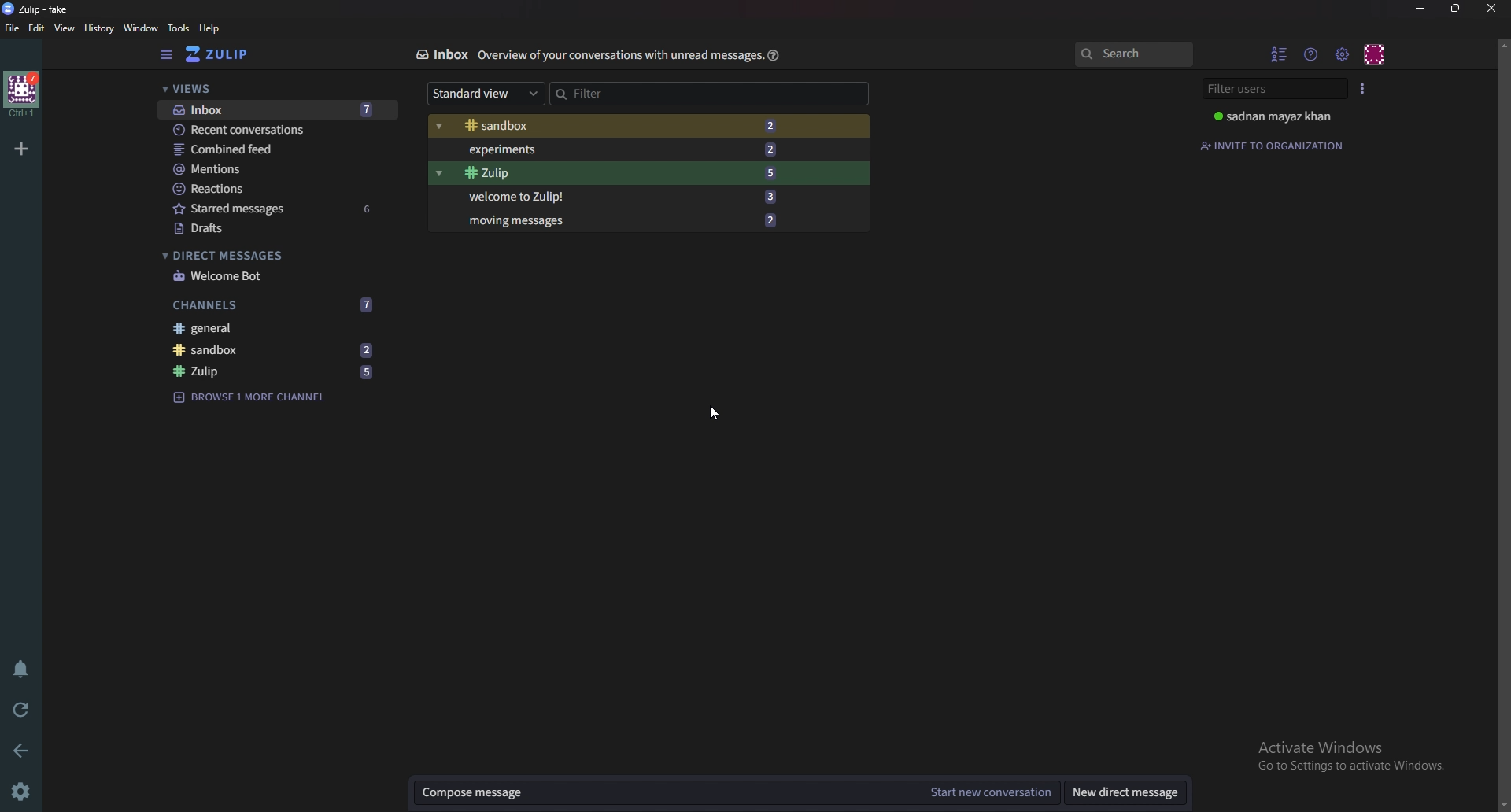 This screenshot has width=1511, height=812. What do you see at coordinates (1502, 424) in the screenshot?
I see `Scroll bar` at bounding box center [1502, 424].